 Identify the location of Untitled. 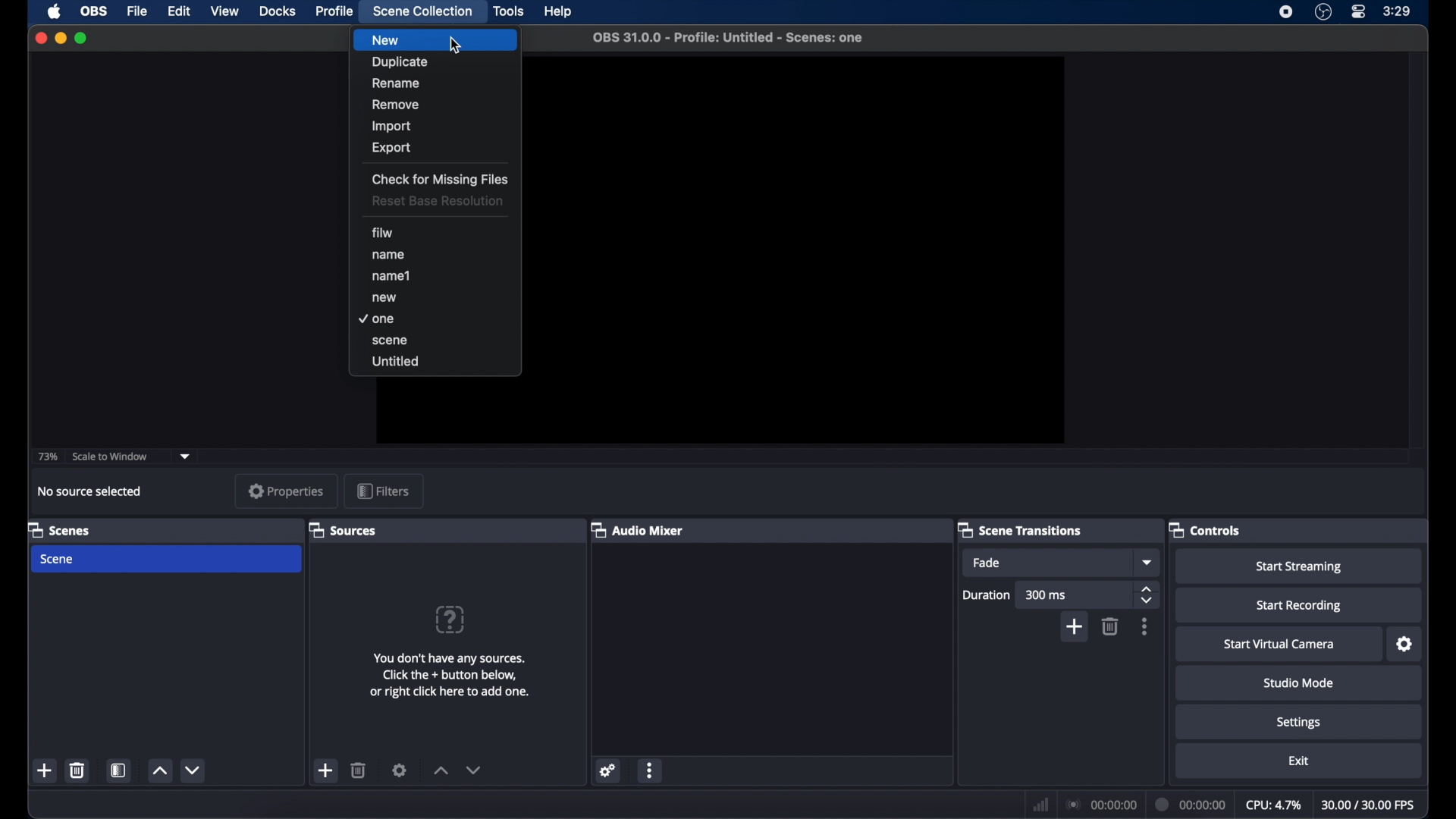
(436, 363).